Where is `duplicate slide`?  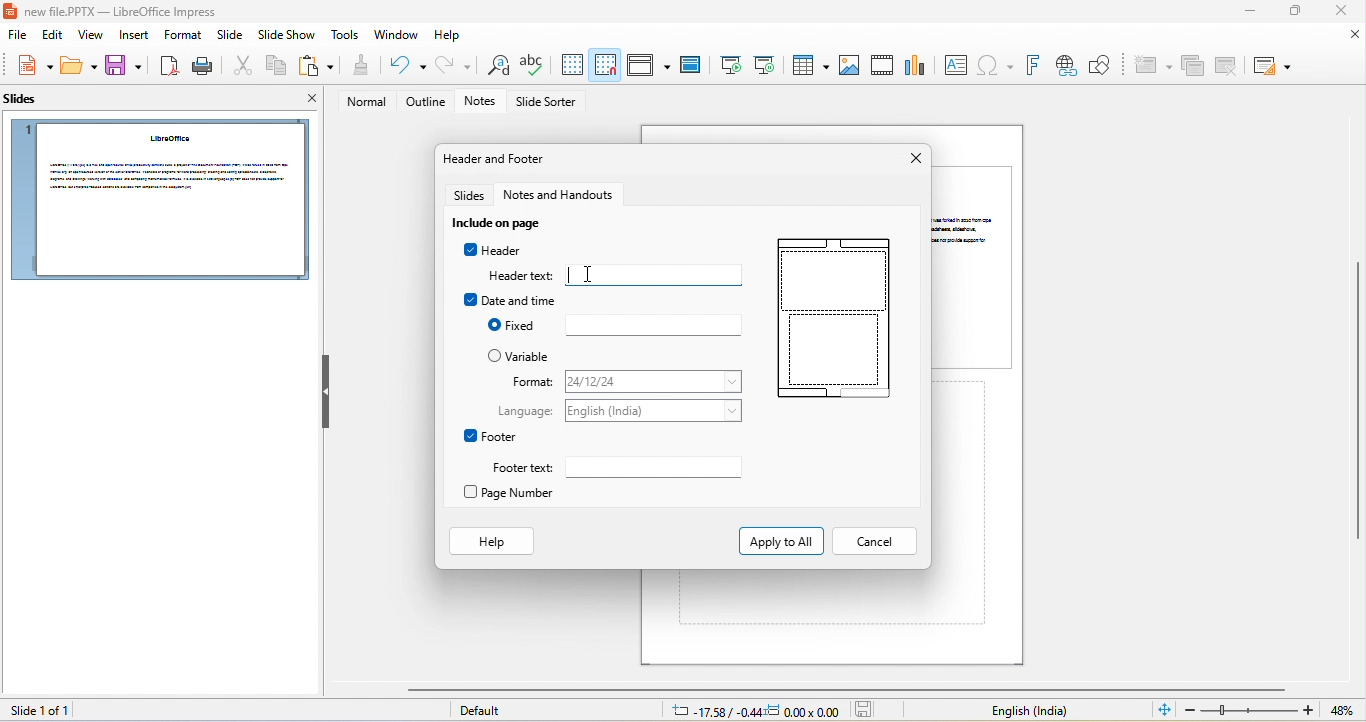 duplicate slide is located at coordinates (1193, 67).